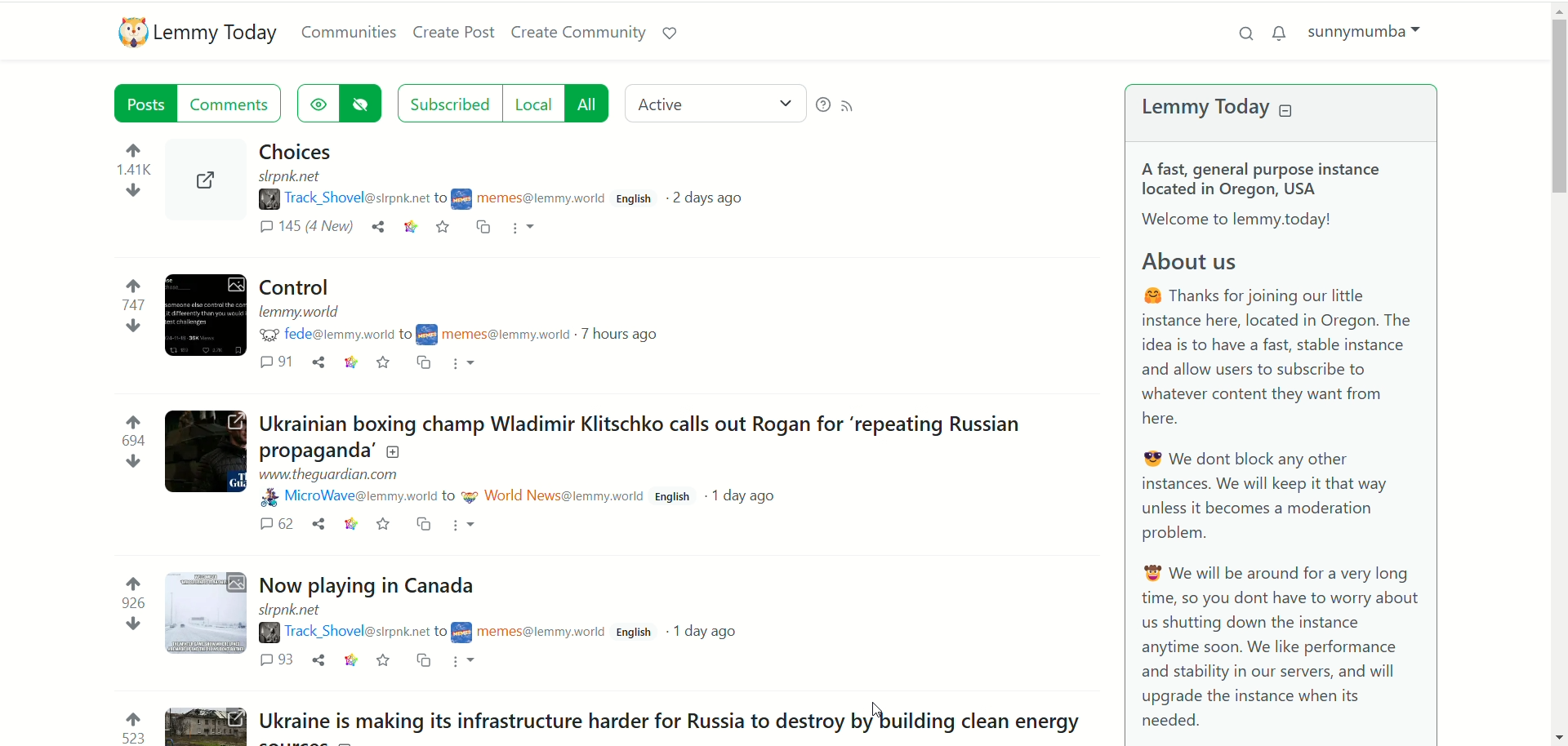 The width and height of the screenshot is (1568, 746). Describe the element at coordinates (445, 229) in the screenshot. I see `save` at that location.